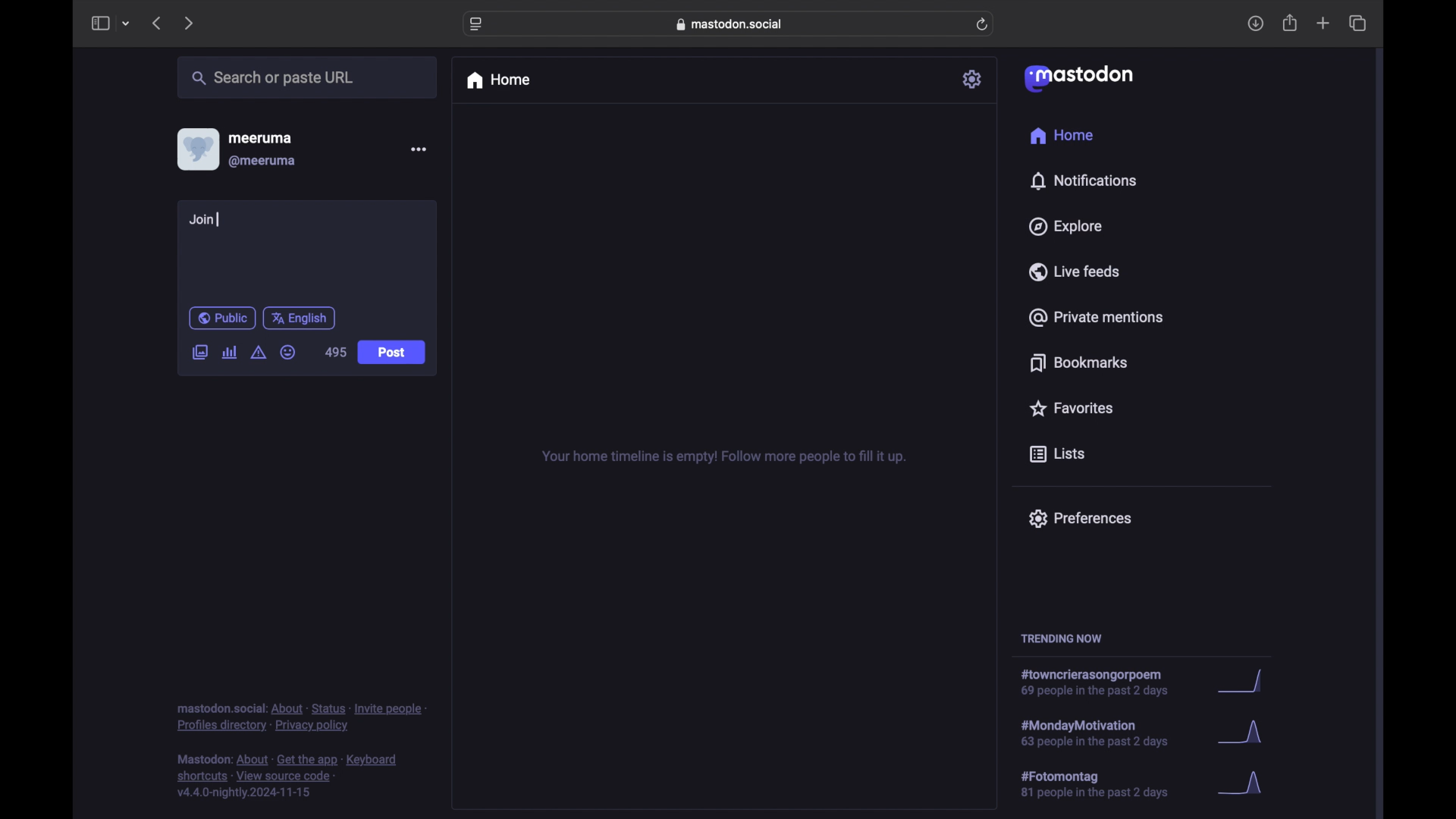 This screenshot has width=1456, height=819. What do you see at coordinates (1105, 732) in the screenshot?
I see `hashtag trend` at bounding box center [1105, 732].